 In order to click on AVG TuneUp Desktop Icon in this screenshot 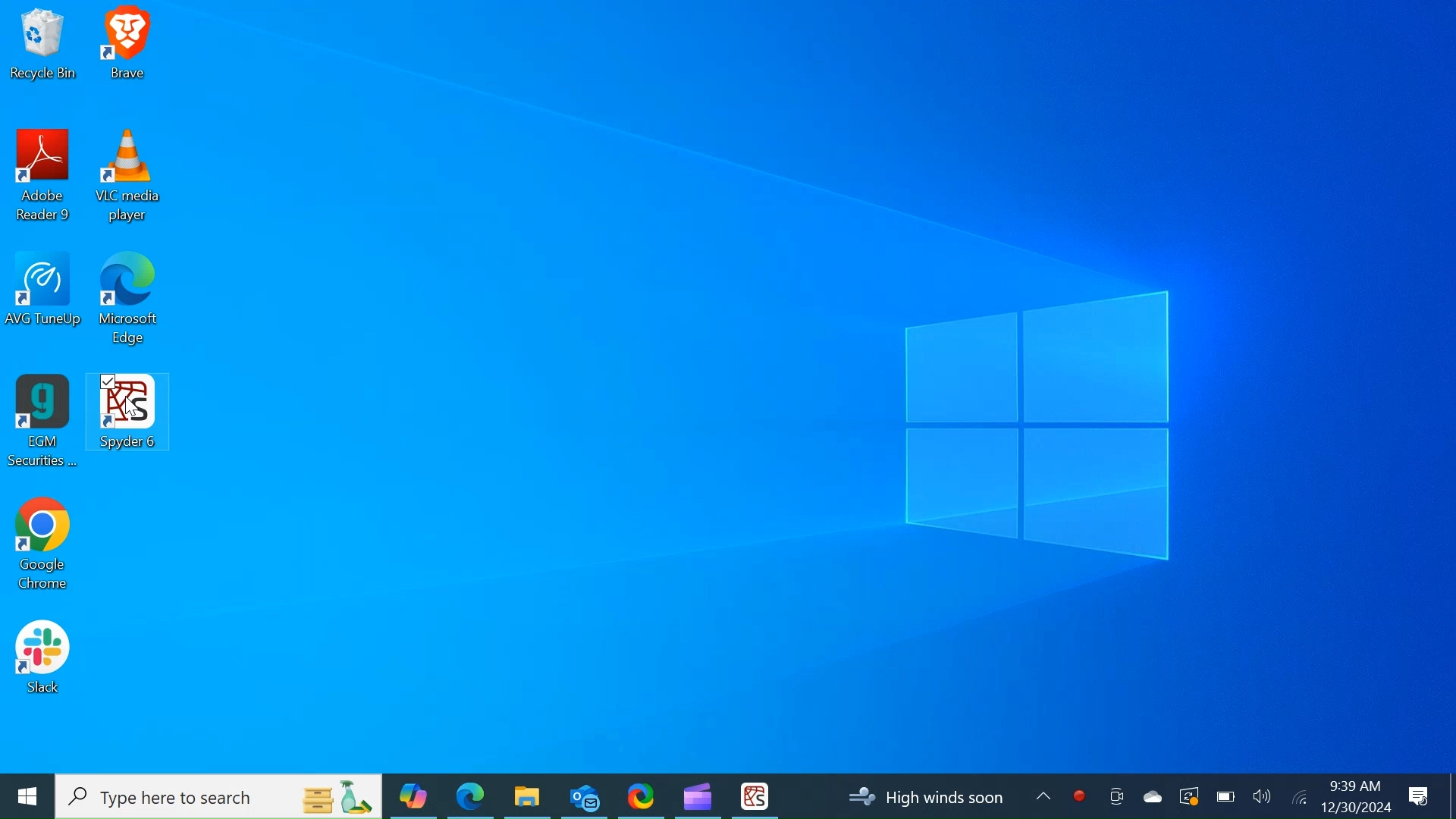, I will do `click(46, 303)`.